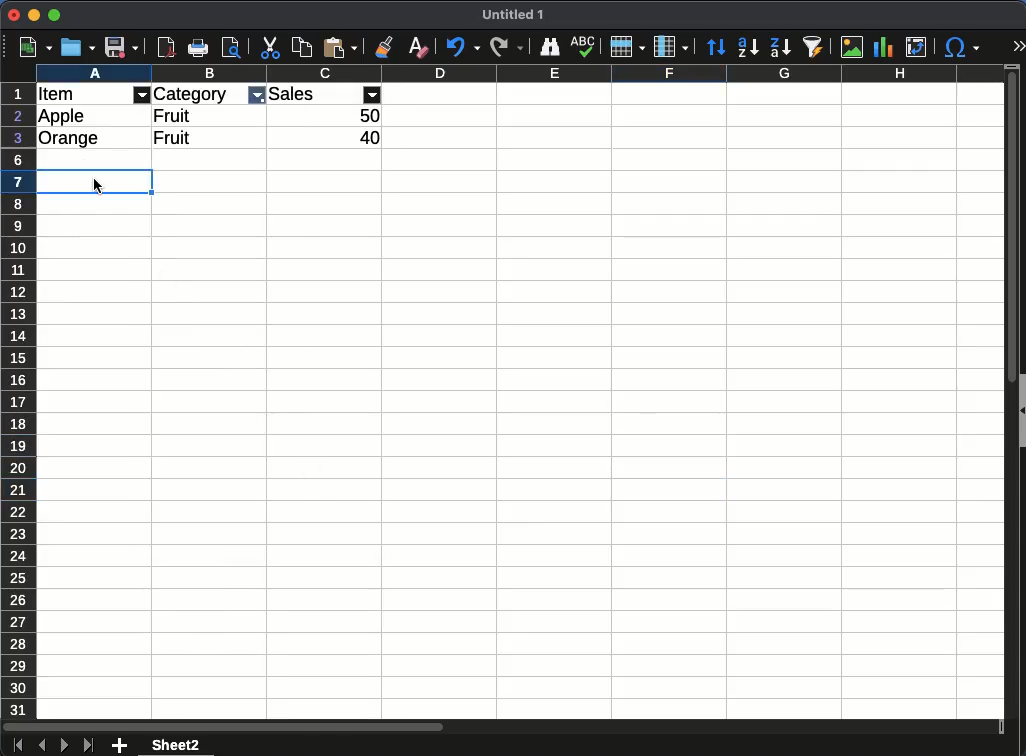  I want to click on row, so click(625, 49).